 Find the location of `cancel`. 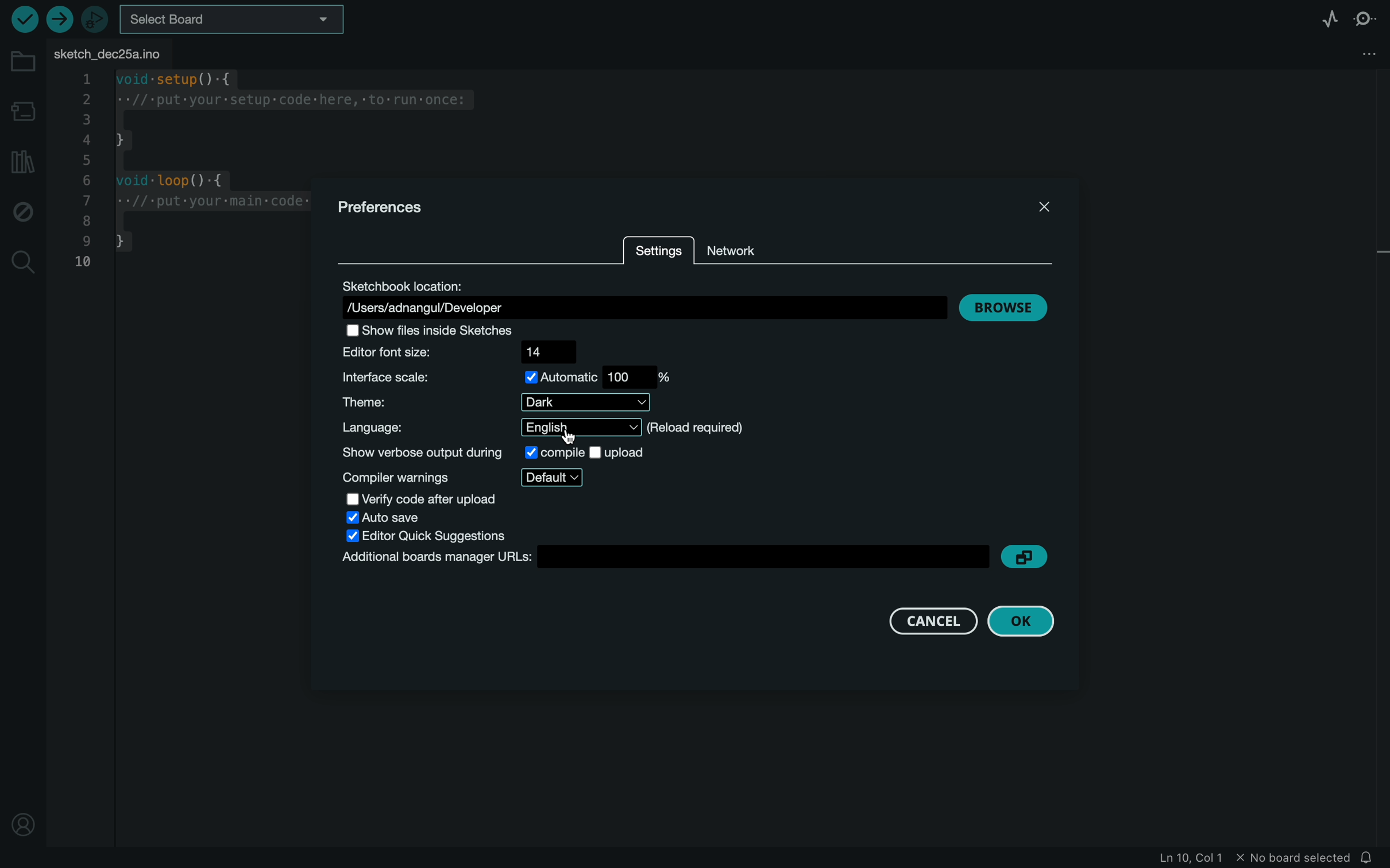

cancel is located at coordinates (930, 622).